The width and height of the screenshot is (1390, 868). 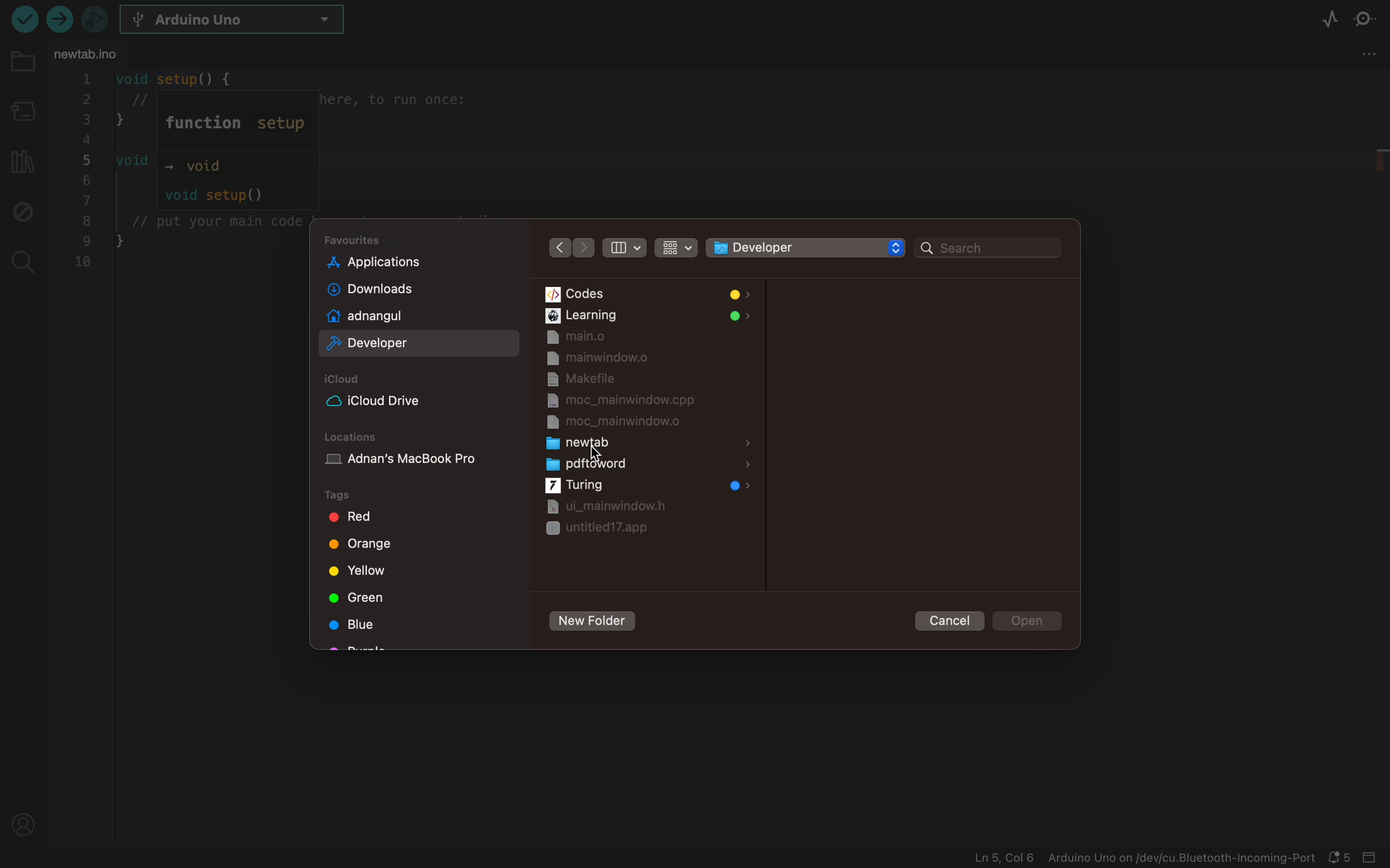 What do you see at coordinates (1144, 858) in the screenshot?
I see `file information` at bounding box center [1144, 858].